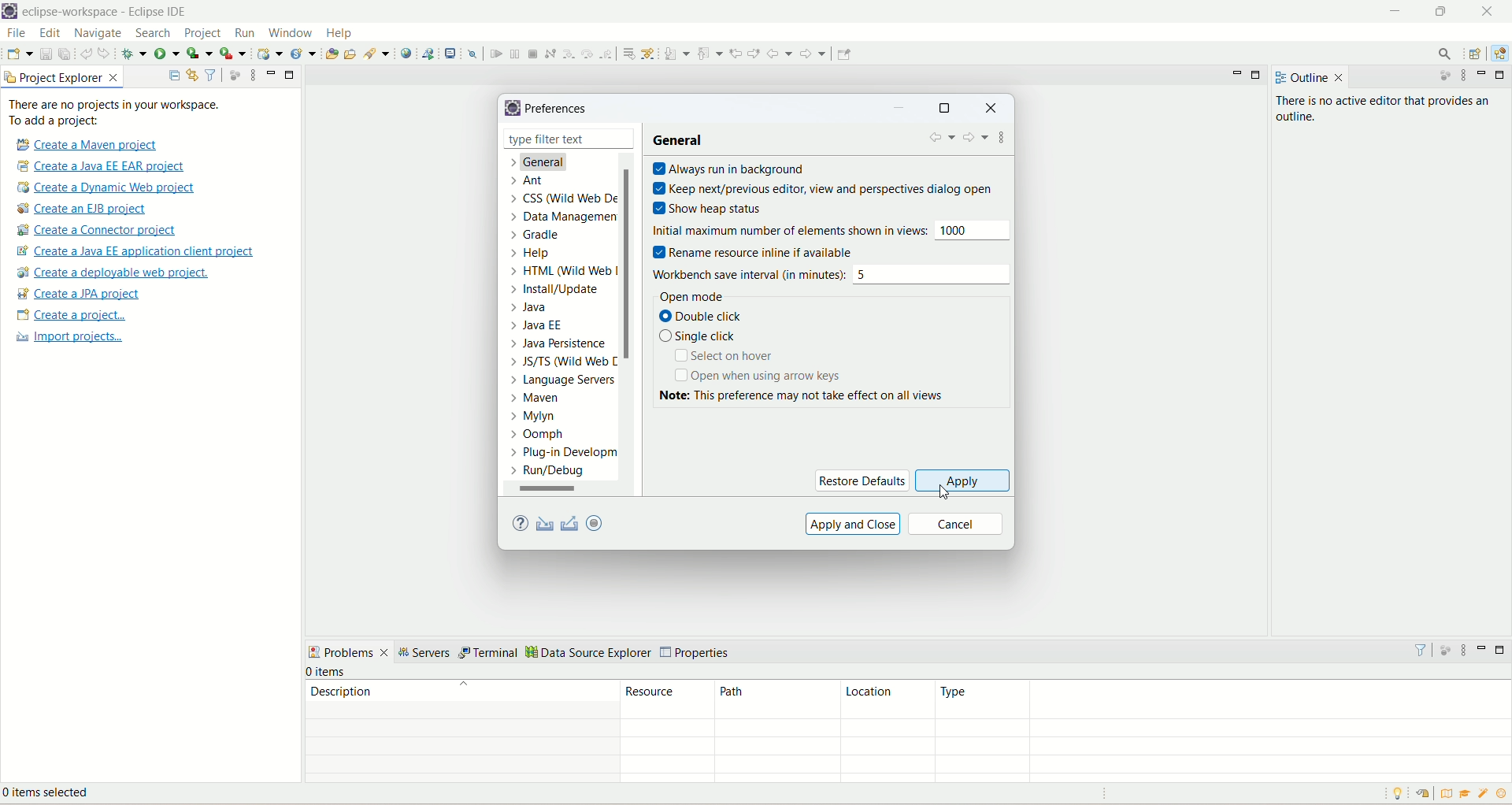 The image size is (1512, 805). Describe the element at coordinates (736, 54) in the screenshot. I see `previous edit location` at that location.